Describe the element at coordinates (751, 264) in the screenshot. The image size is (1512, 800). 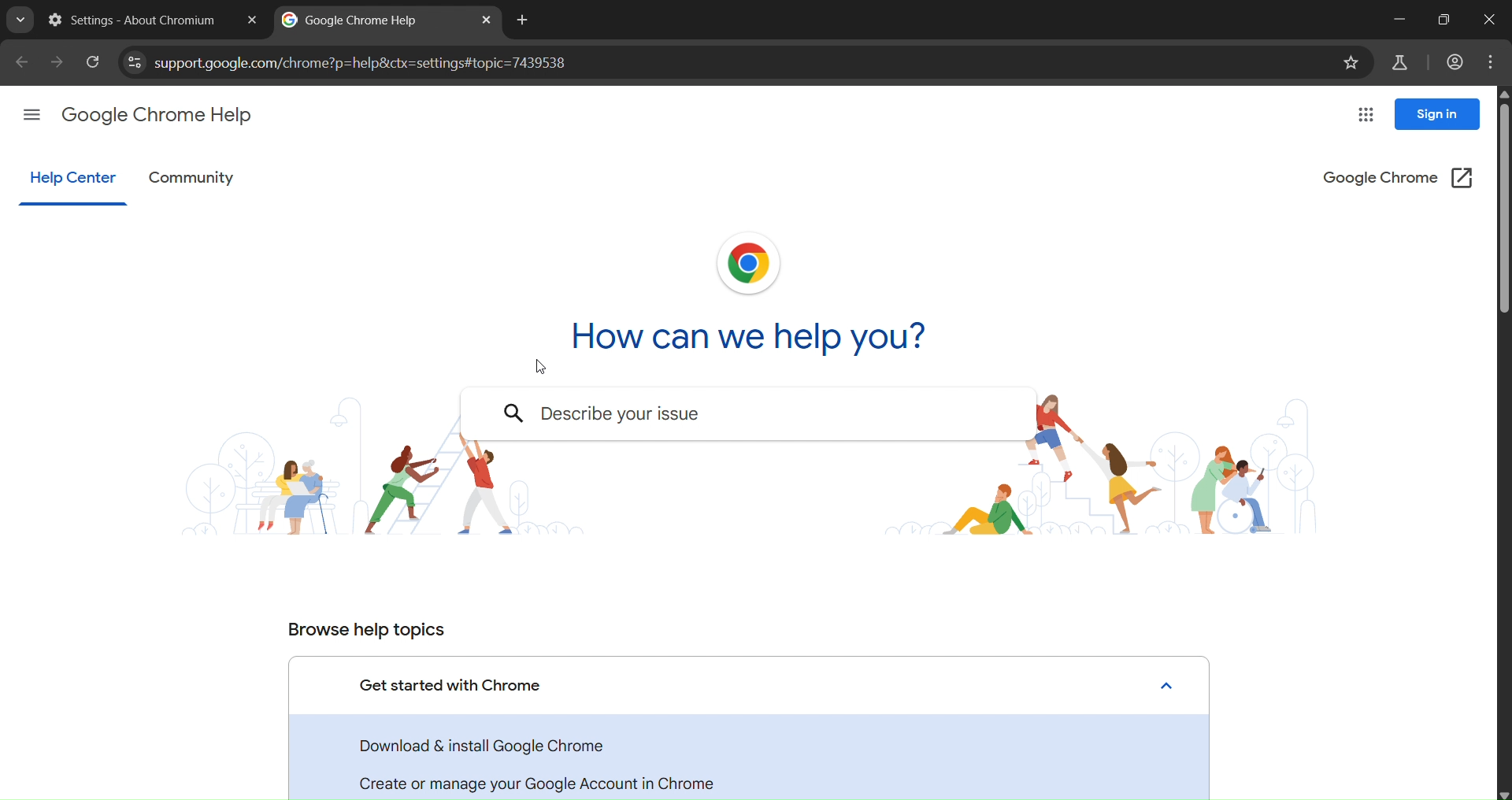
I see `image` at that location.